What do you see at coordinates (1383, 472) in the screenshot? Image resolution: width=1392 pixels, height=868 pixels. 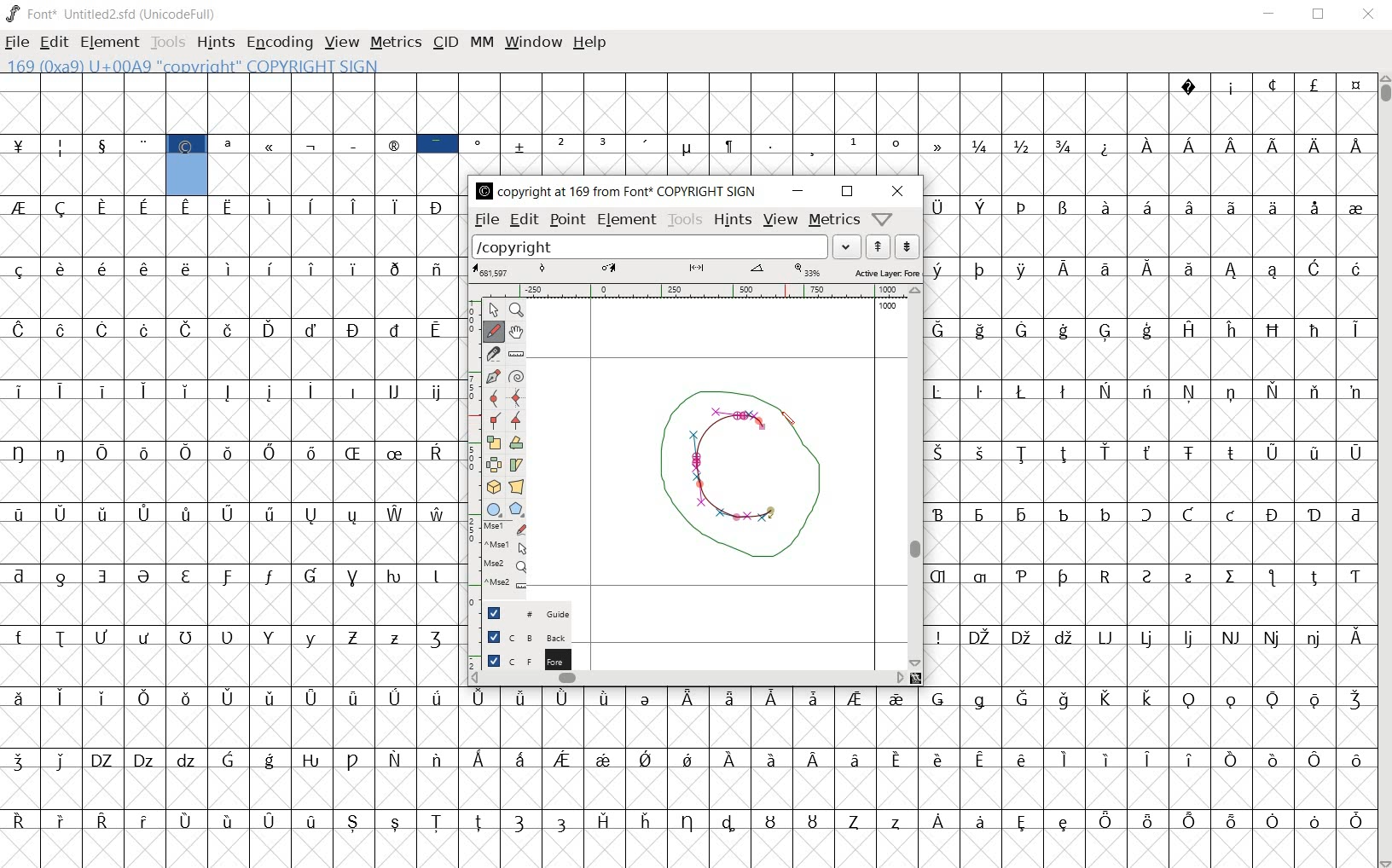 I see `scrollbar` at bounding box center [1383, 472].